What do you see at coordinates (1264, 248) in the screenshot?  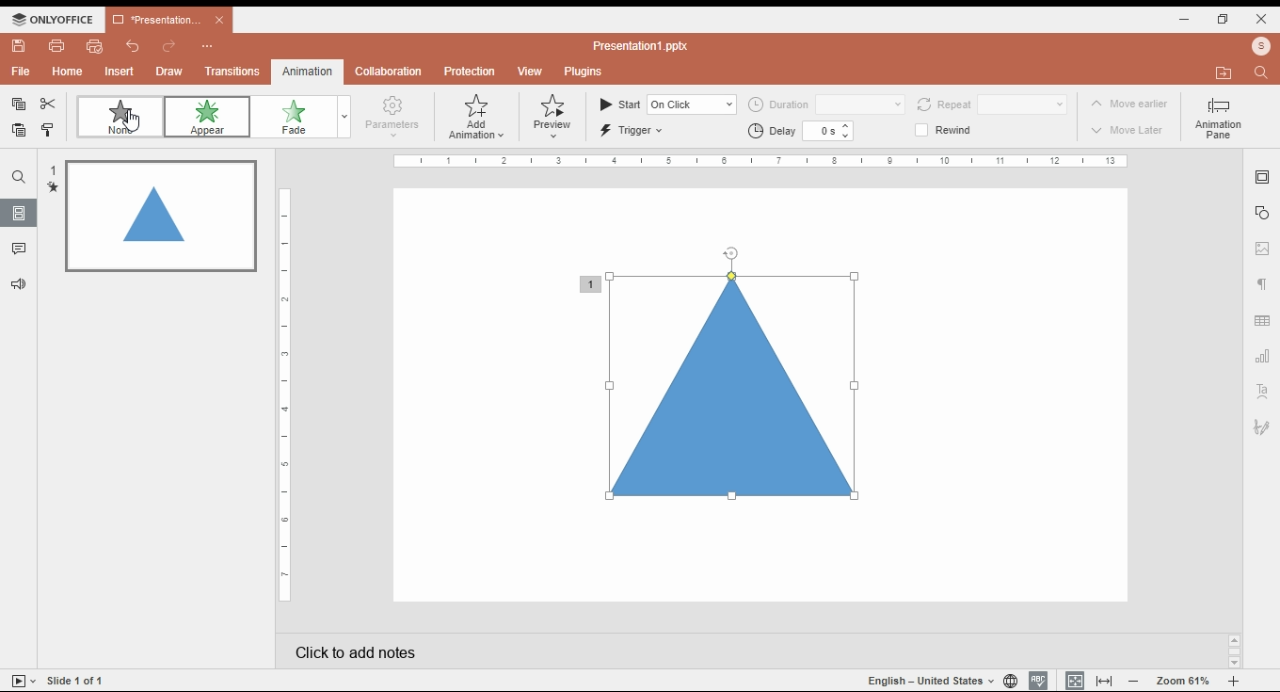 I see `image settings` at bounding box center [1264, 248].